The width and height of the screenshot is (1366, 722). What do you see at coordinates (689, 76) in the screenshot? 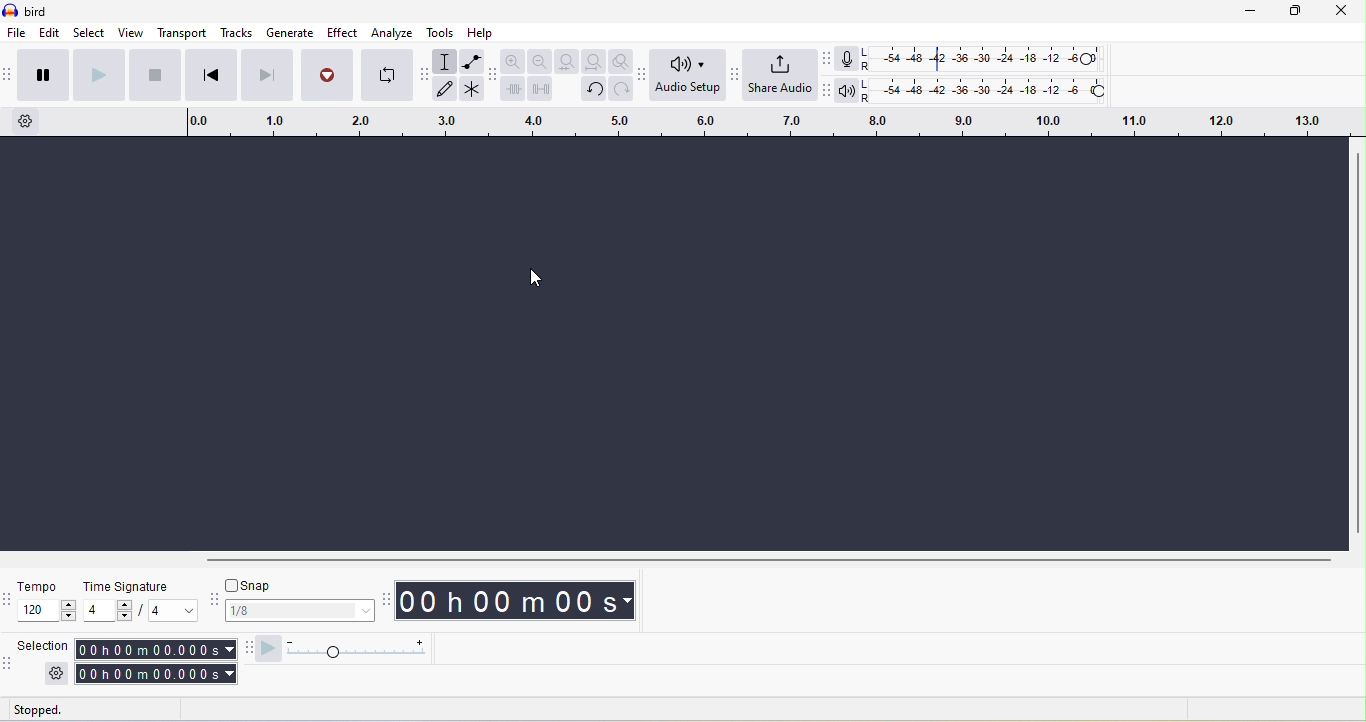
I see `audio setup` at bounding box center [689, 76].